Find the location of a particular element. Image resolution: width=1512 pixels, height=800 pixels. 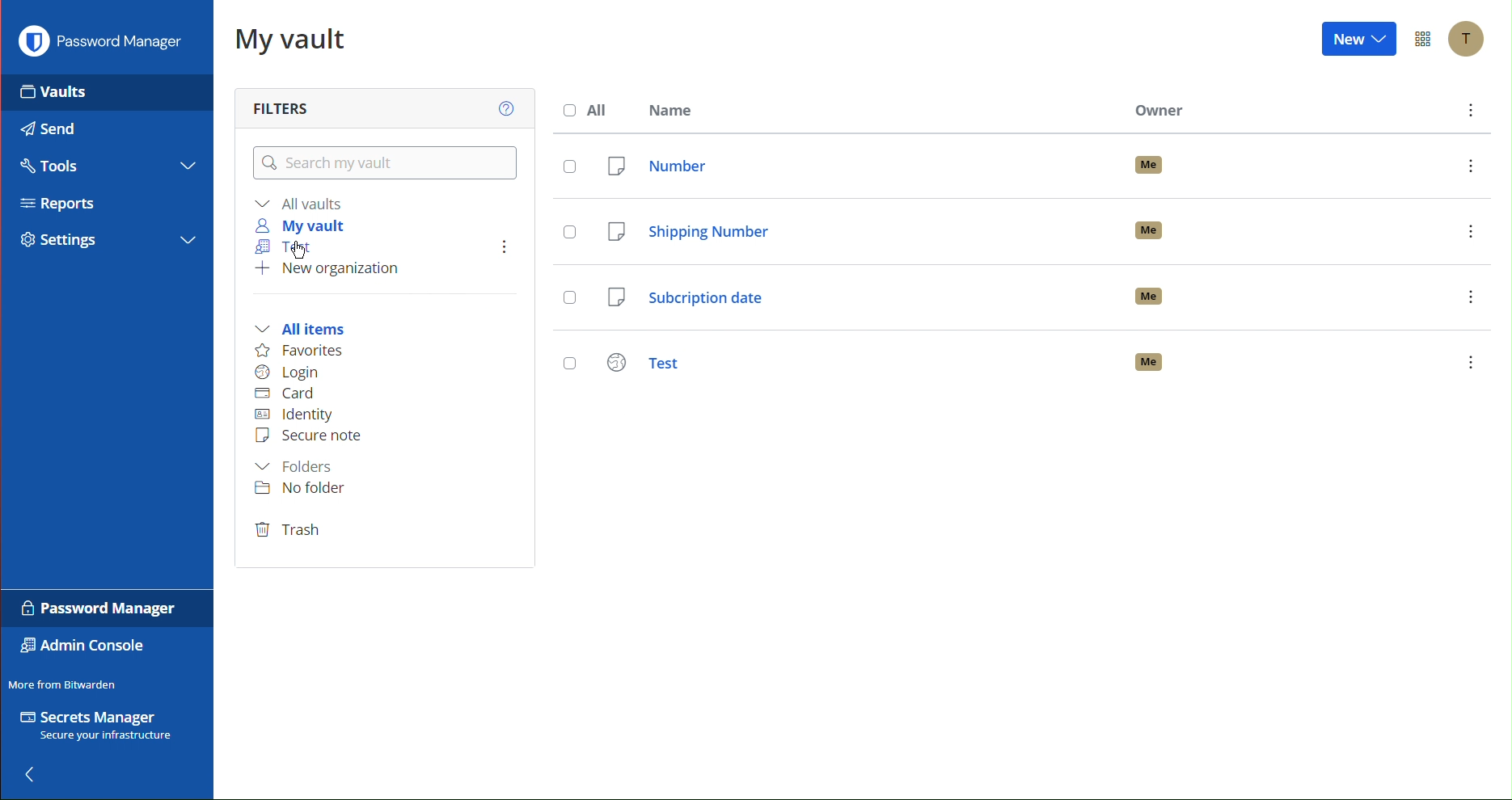

Admin Console is located at coordinates (81, 647).